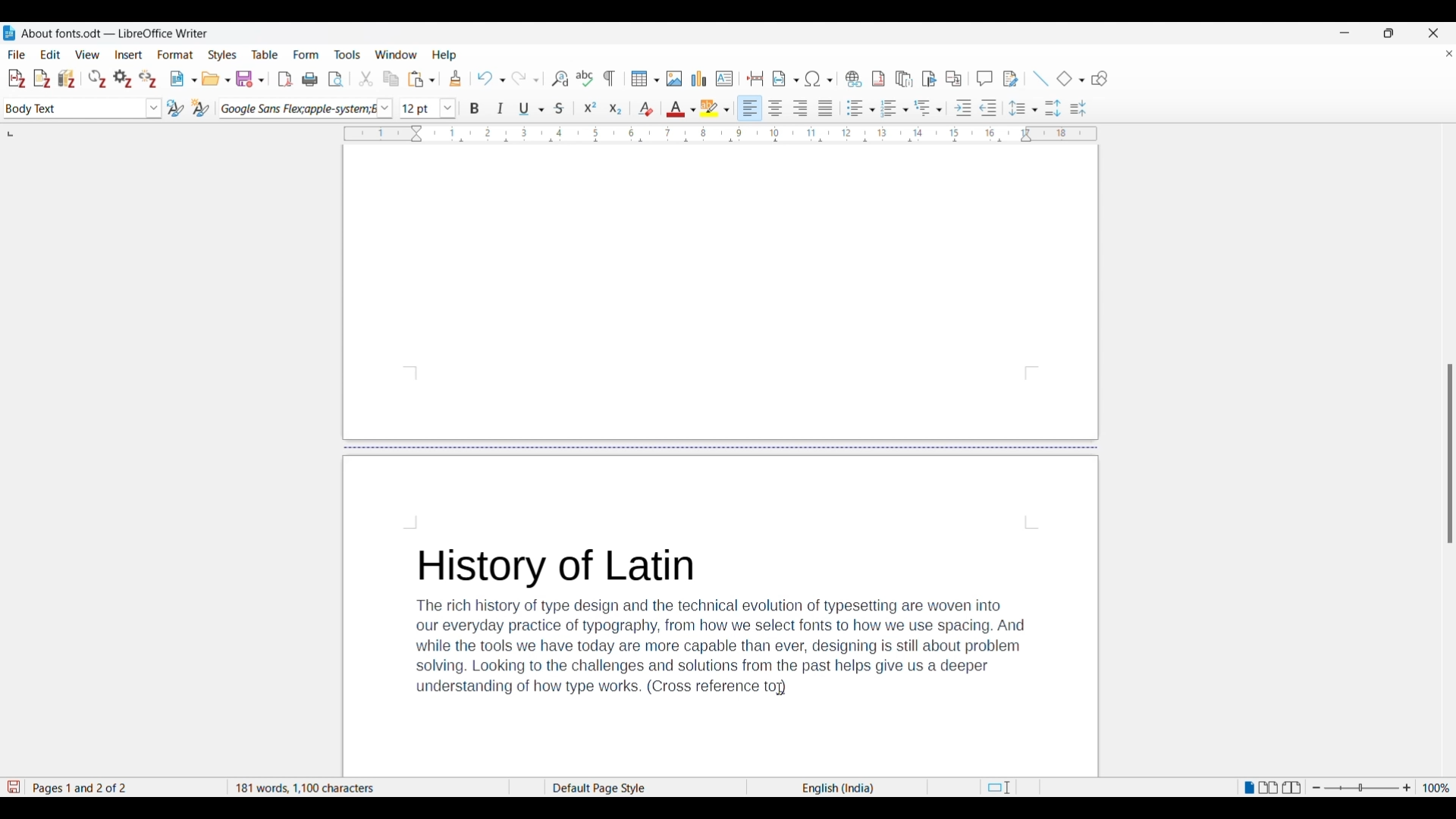 This screenshot has height=819, width=1456. Describe the element at coordinates (175, 55) in the screenshot. I see `Format menu` at that location.